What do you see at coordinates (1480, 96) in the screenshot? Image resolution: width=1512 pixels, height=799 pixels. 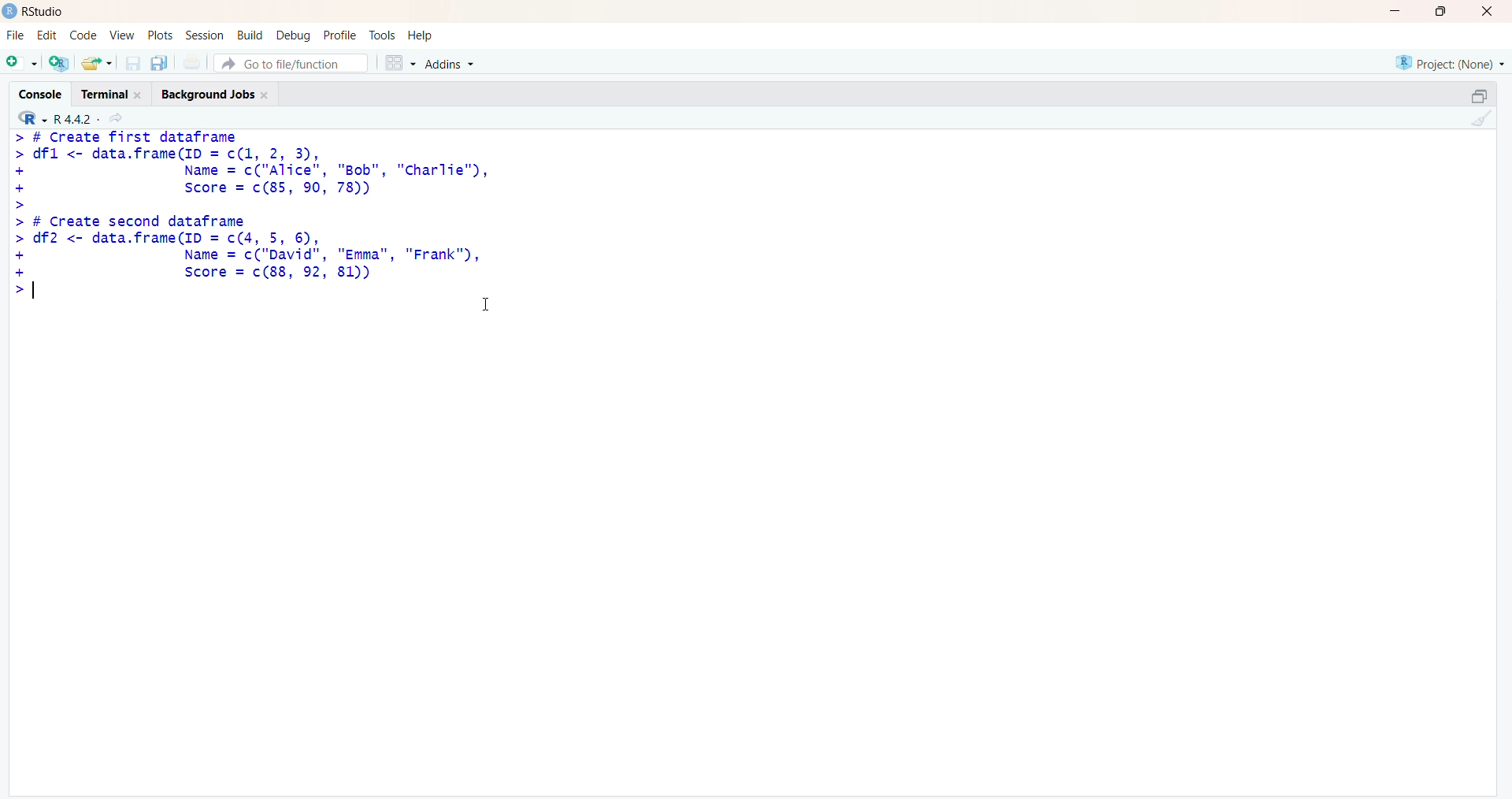 I see `minimize` at bounding box center [1480, 96].